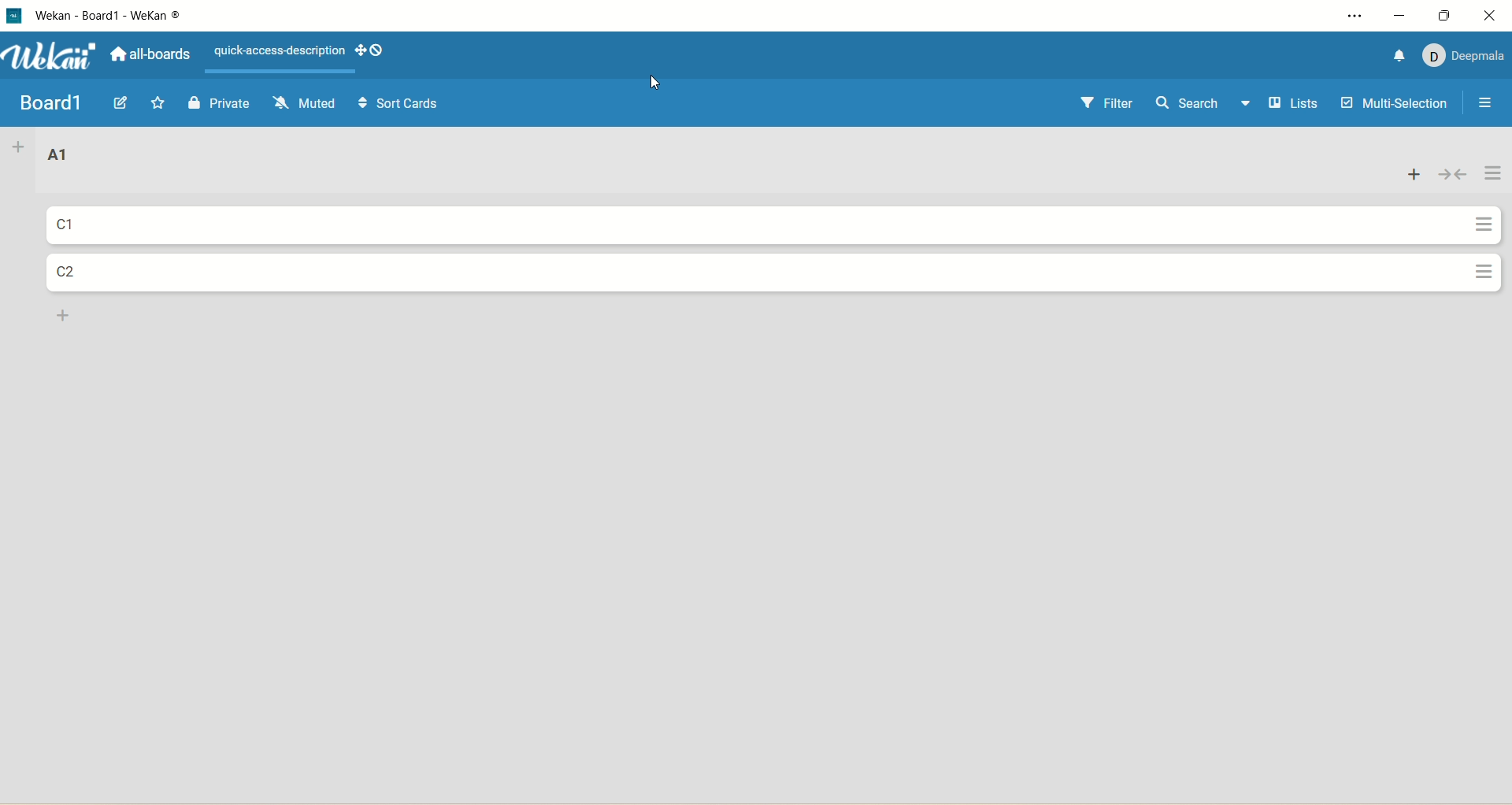 The image size is (1512, 805). Describe the element at coordinates (1204, 104) in the screenshot. I see `search` at that location.